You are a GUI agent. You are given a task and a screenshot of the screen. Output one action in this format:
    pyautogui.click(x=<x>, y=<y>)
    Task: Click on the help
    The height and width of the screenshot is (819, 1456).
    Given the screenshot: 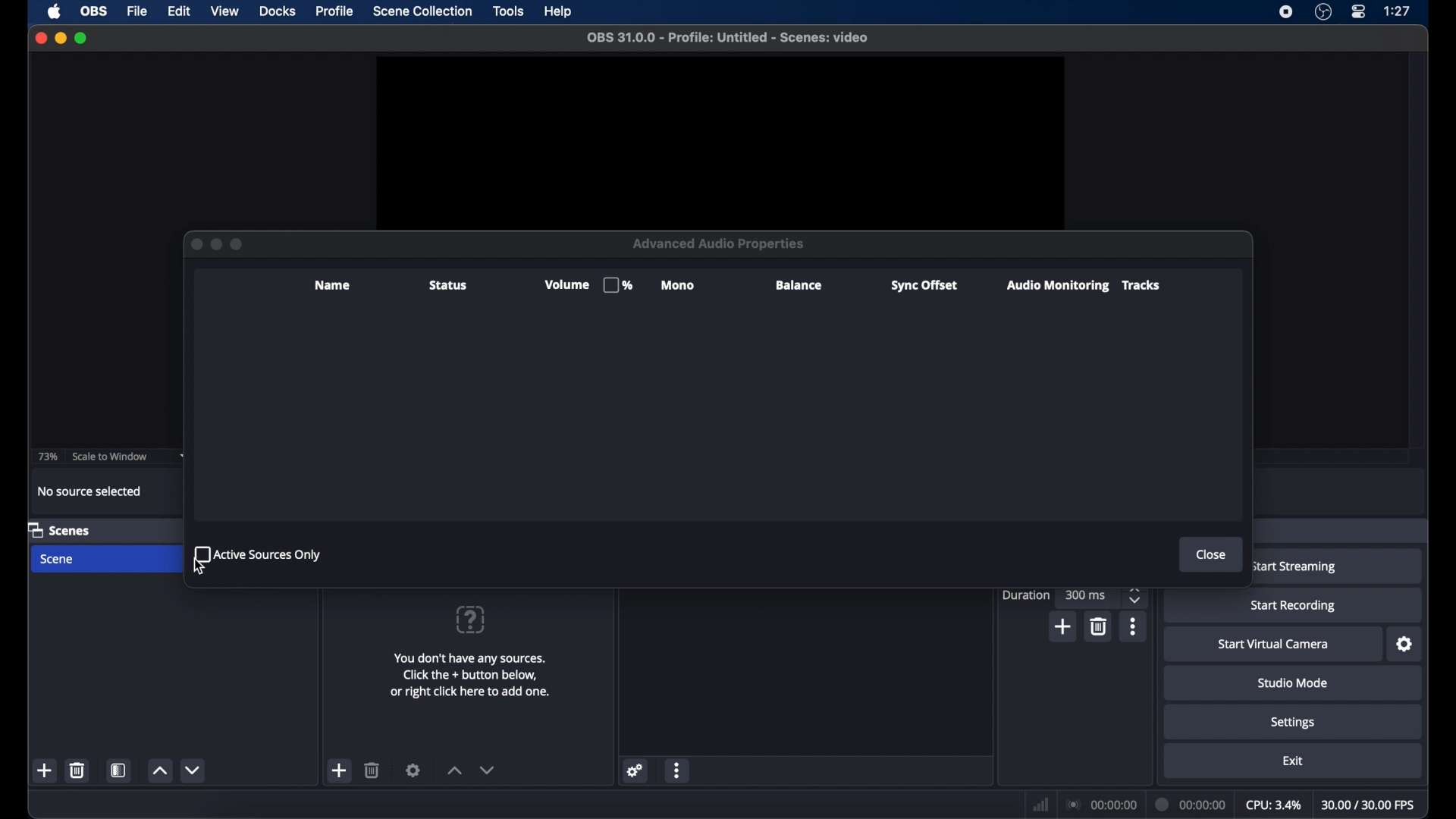 What is the action you would take?
    pyautogui.click(x=559, y=11)
    